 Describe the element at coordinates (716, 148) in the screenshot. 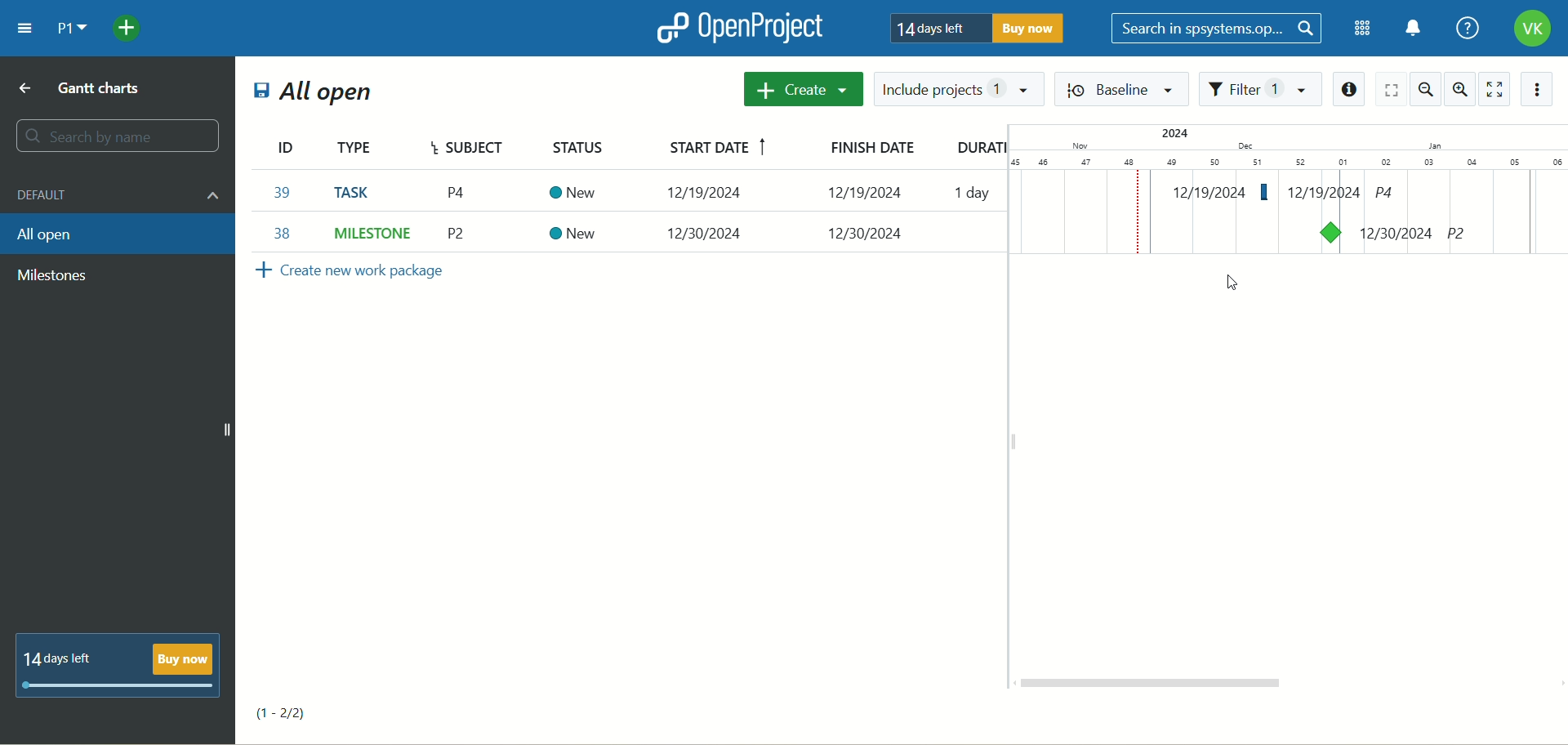

I see `start date` at that location.